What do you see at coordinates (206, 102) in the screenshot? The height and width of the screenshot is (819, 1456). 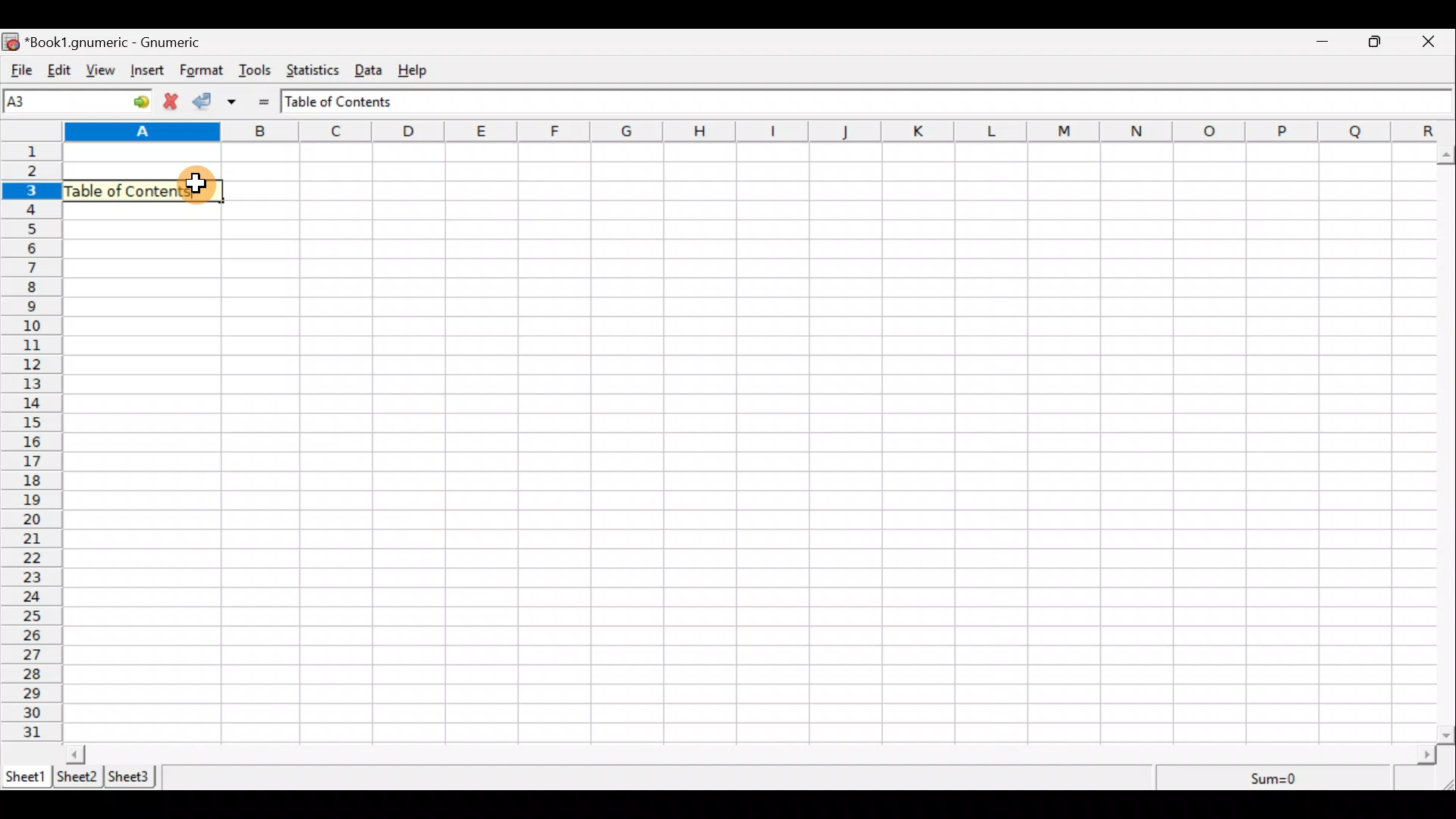 I see `Accept change` at bounding box center [206, 102].